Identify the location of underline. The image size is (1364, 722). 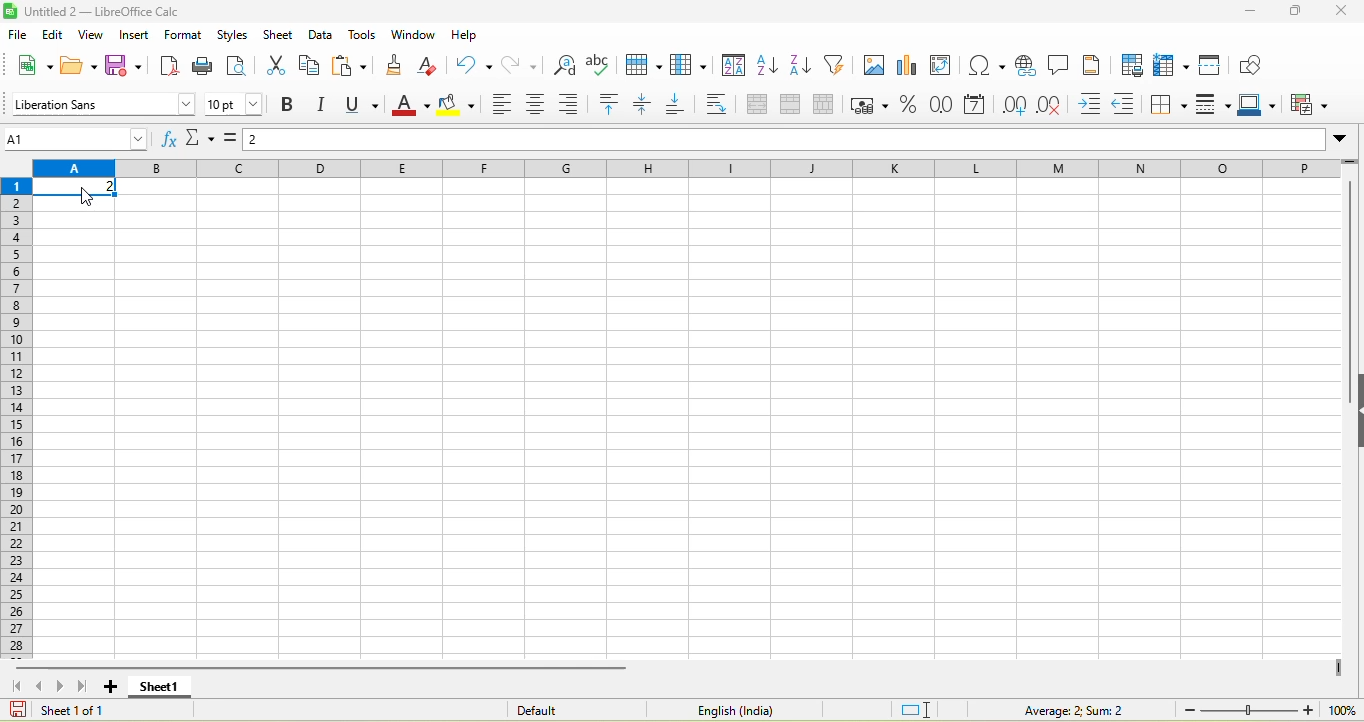
(370, 105).